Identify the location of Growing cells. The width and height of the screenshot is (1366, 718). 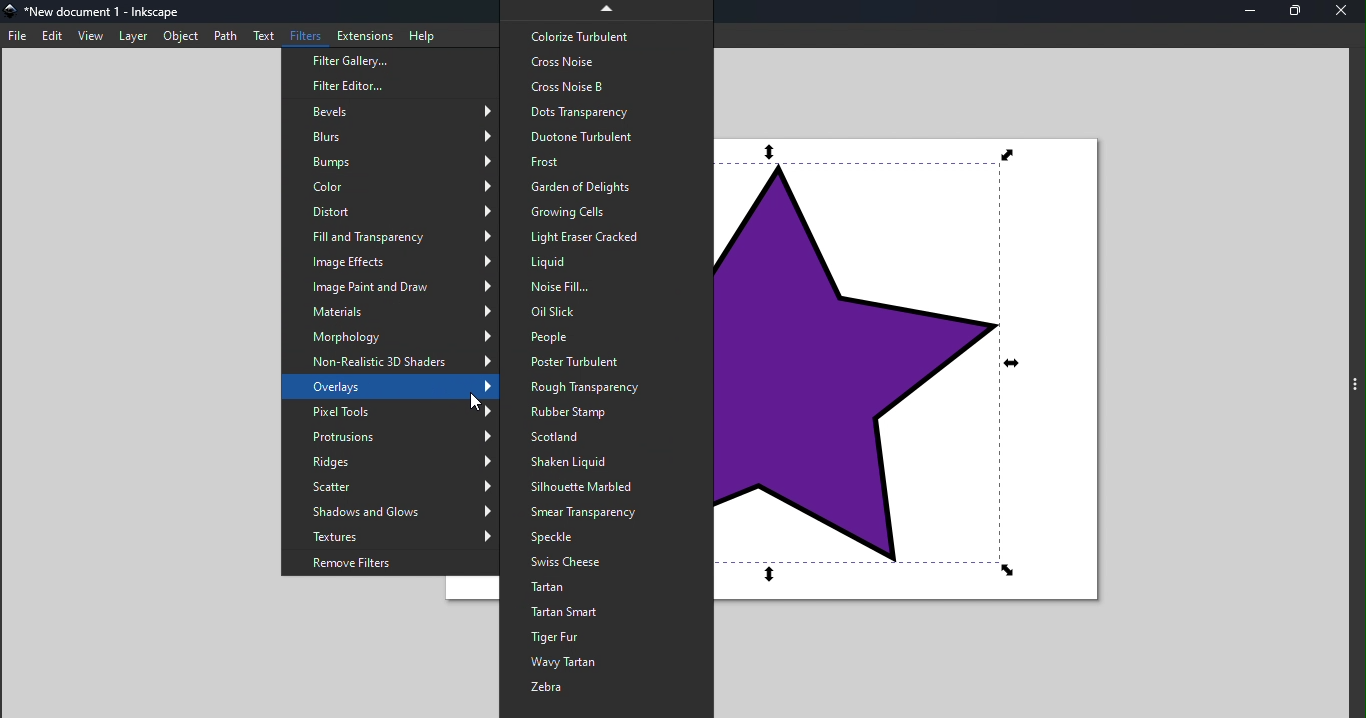
(601, 211).